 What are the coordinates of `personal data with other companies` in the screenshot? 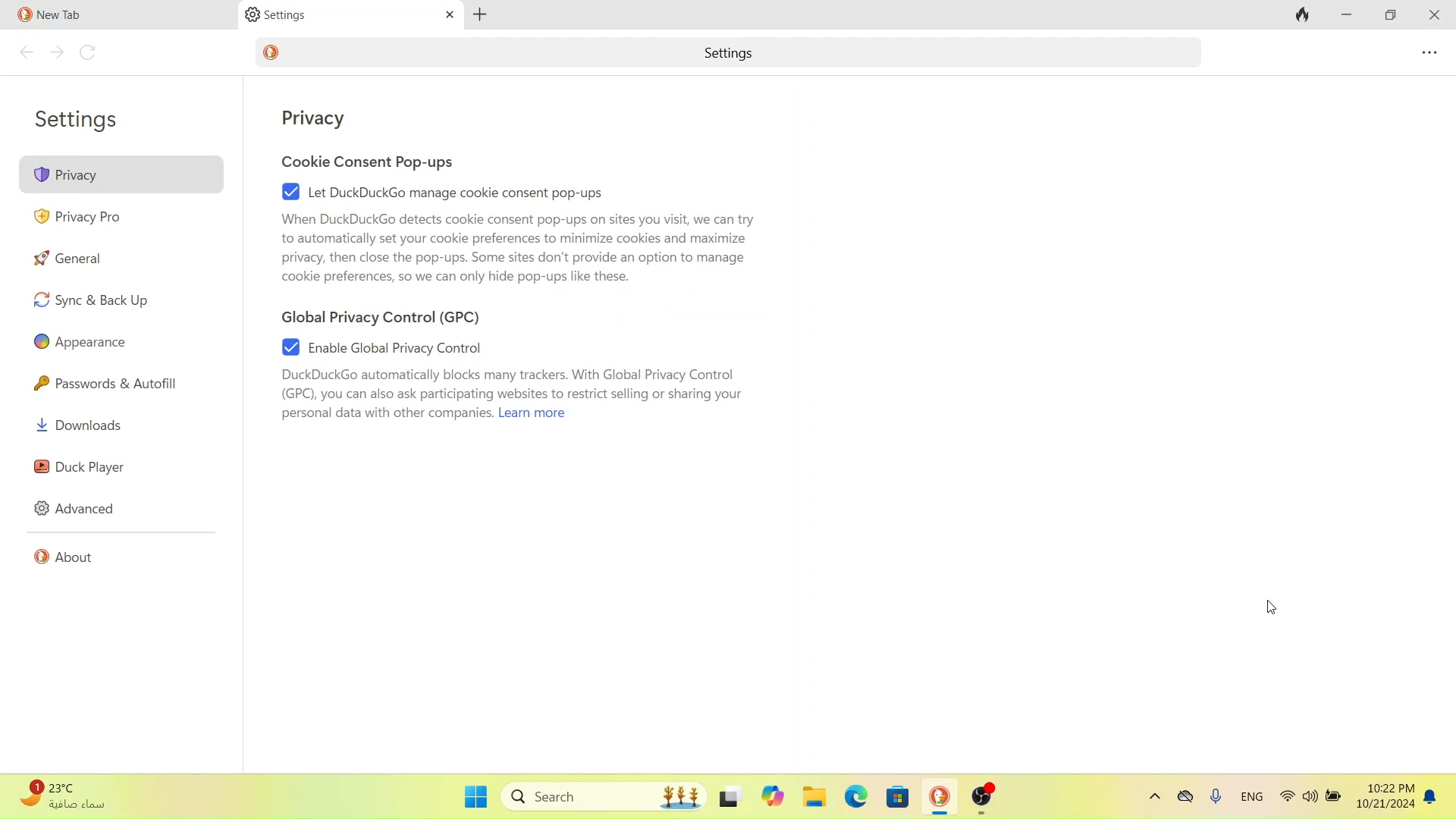 It's located at (378, 413).